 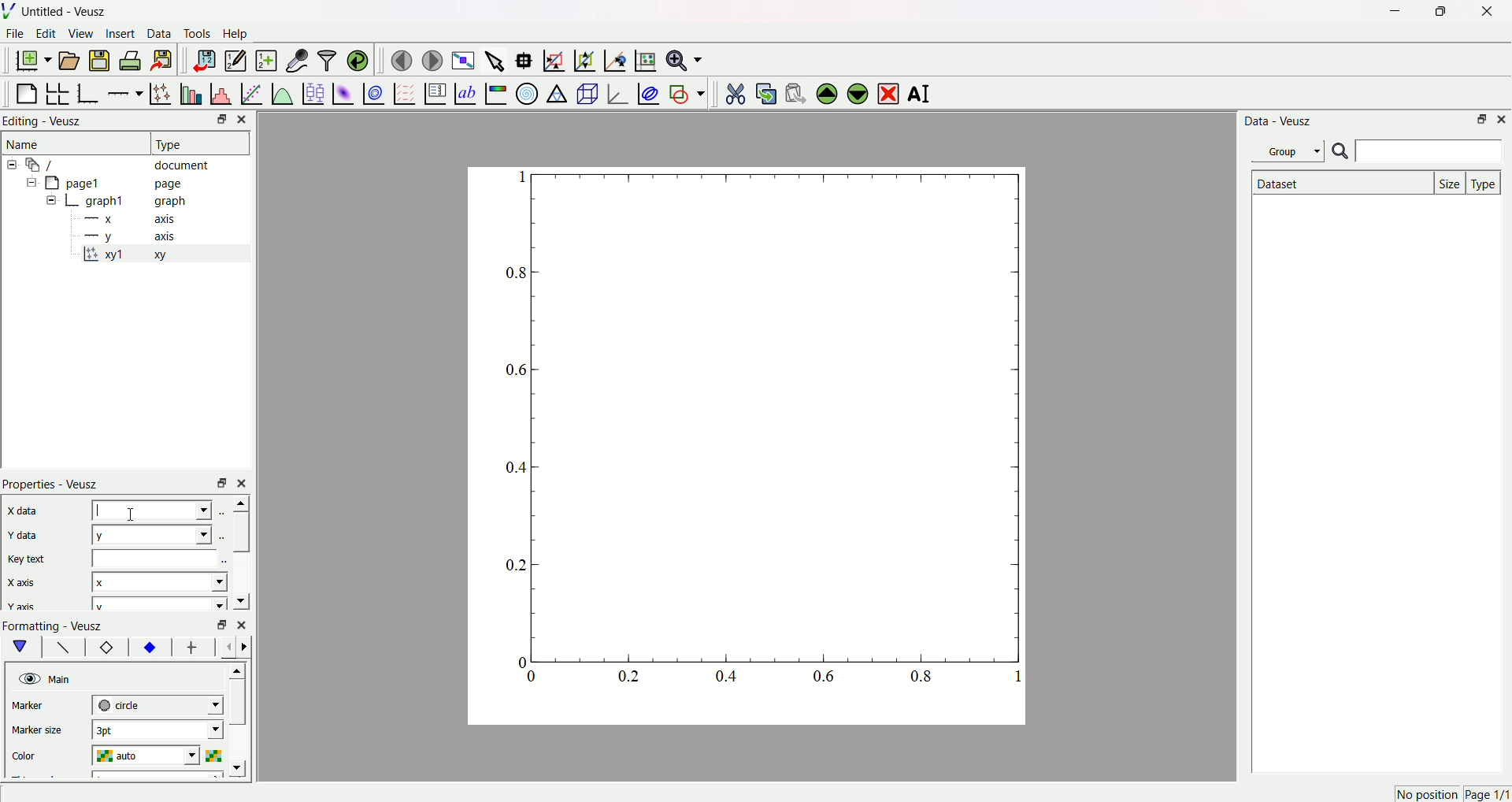 I want to click on move up, so click(x=239, y=503).